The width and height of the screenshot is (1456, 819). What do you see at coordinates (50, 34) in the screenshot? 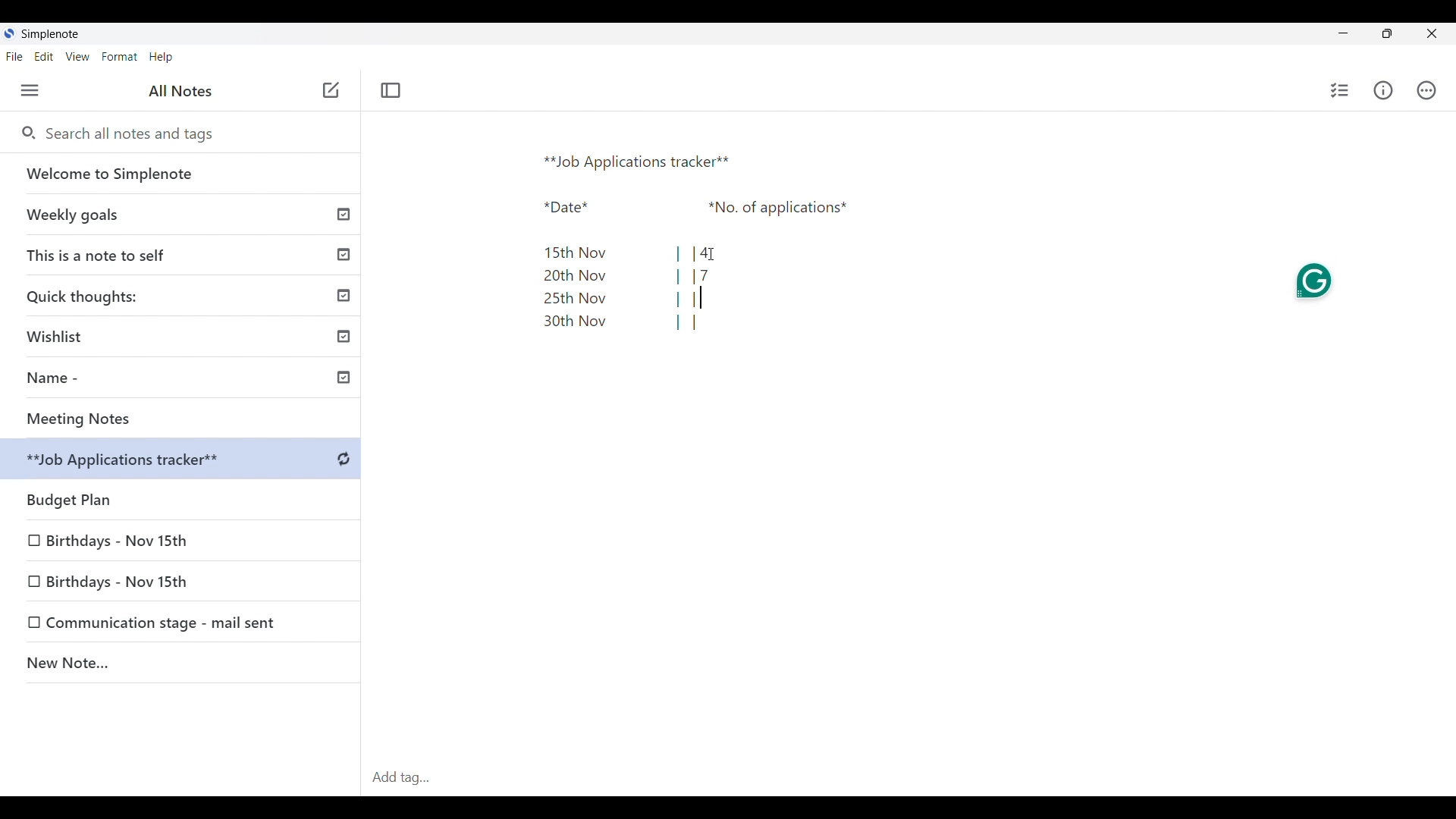
I see `Software name` at bounding box center [50, 34].